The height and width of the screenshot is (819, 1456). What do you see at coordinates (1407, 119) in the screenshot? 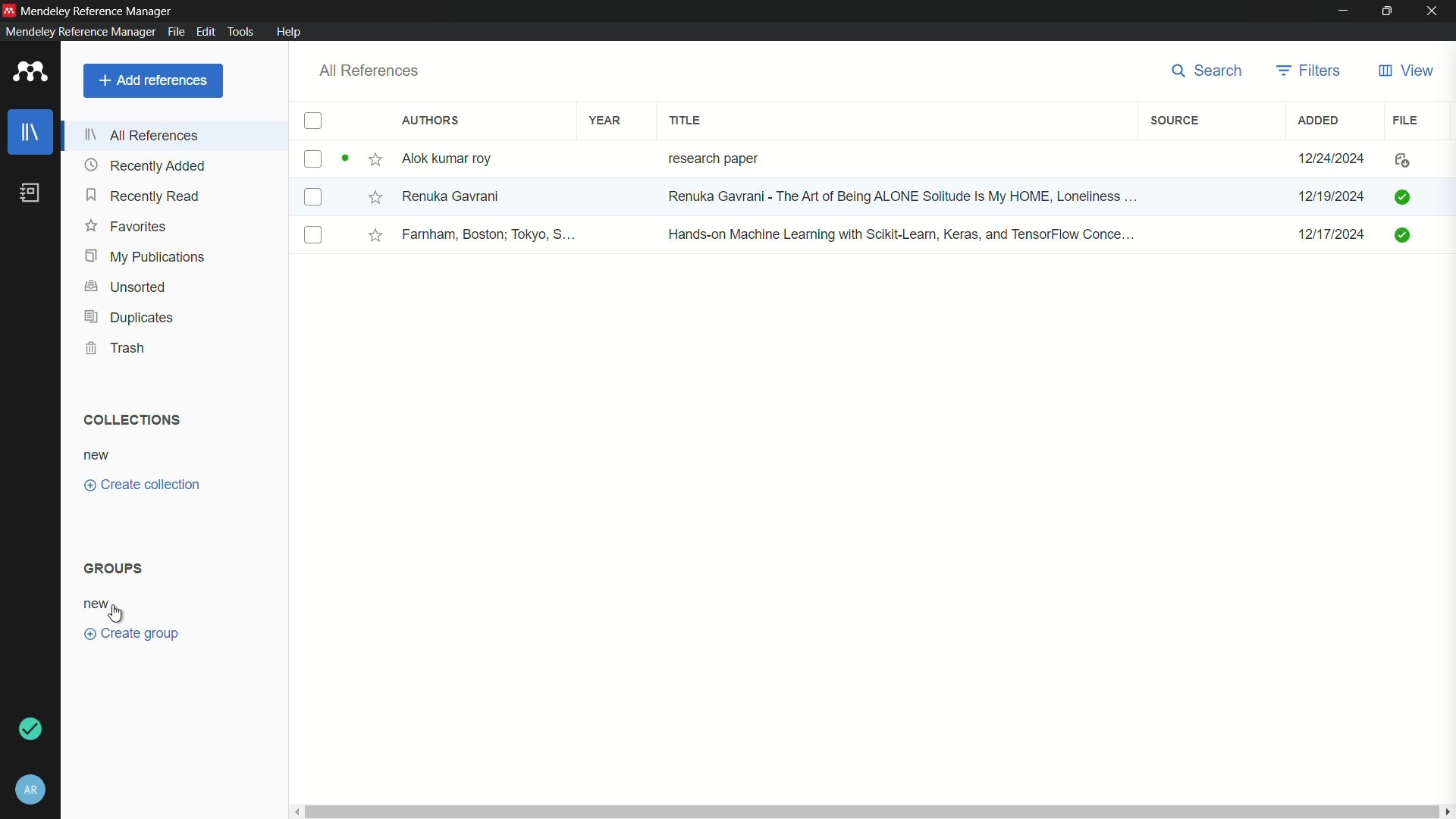
I see `file` at bounding box center [1407, 119].